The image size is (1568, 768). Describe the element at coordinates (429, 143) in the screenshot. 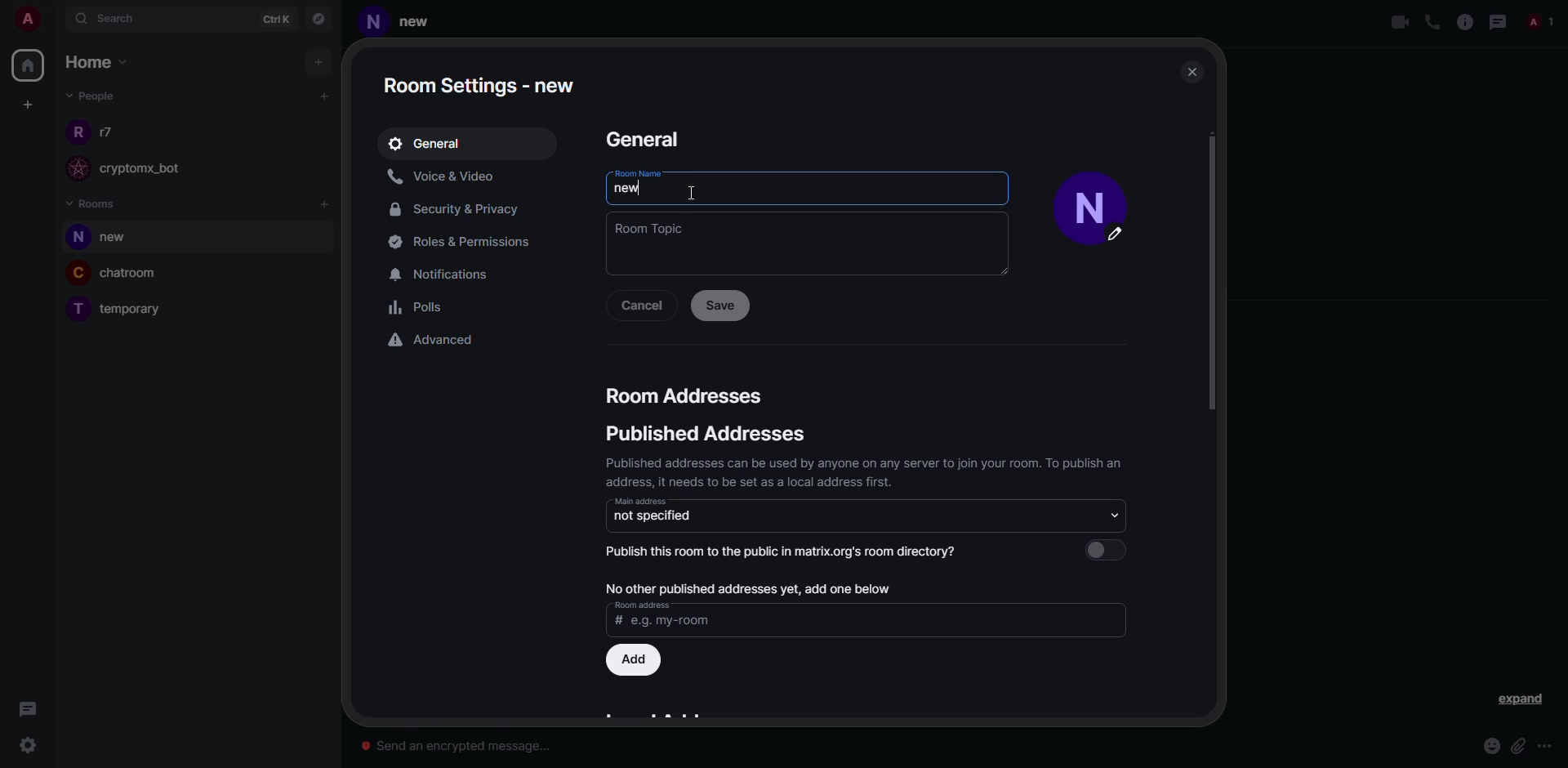

I see `general` at that location.